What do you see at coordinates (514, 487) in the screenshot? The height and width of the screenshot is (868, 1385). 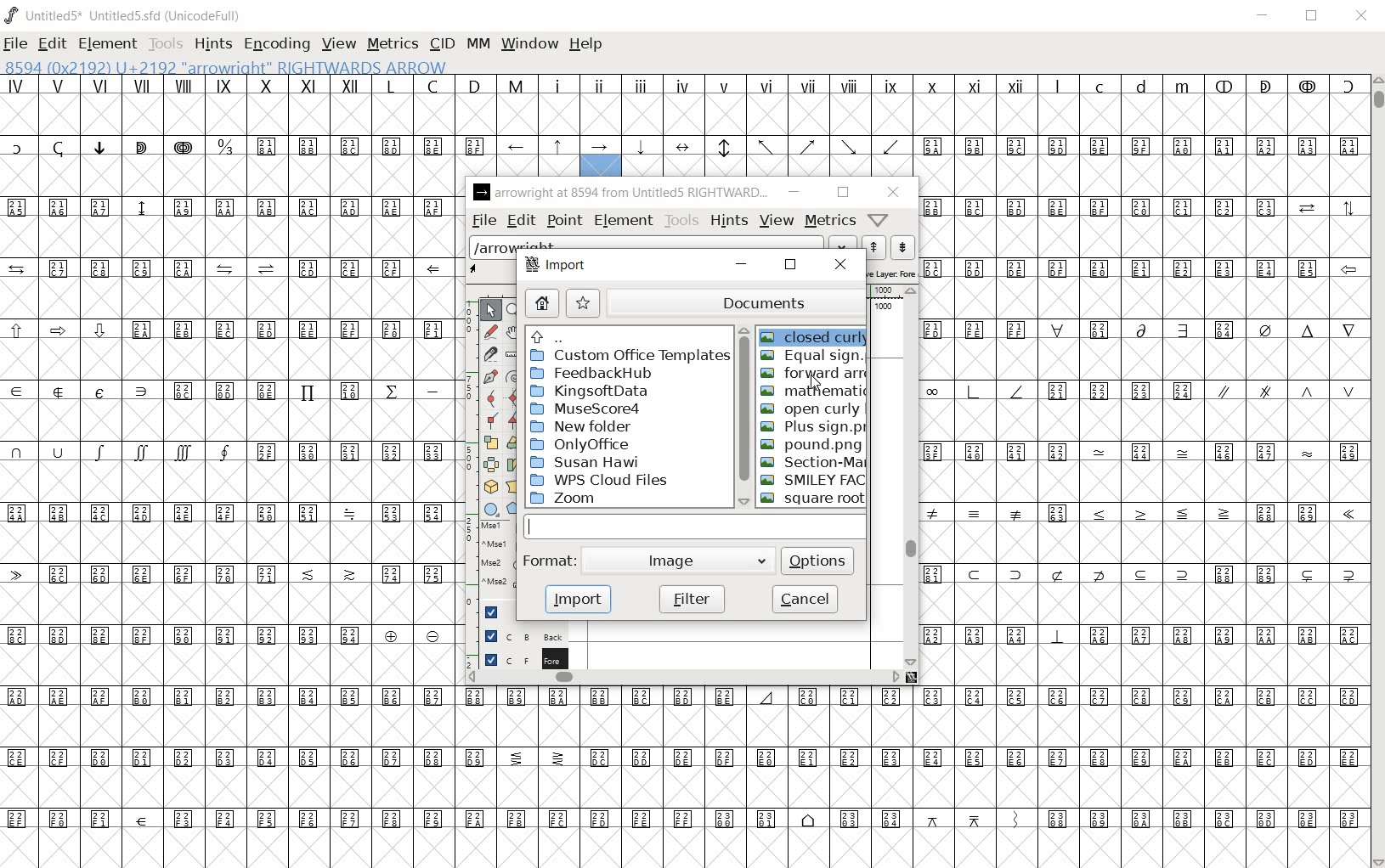 I see `perform a perspective transformation on the selection` at bounding box center [514, 487].